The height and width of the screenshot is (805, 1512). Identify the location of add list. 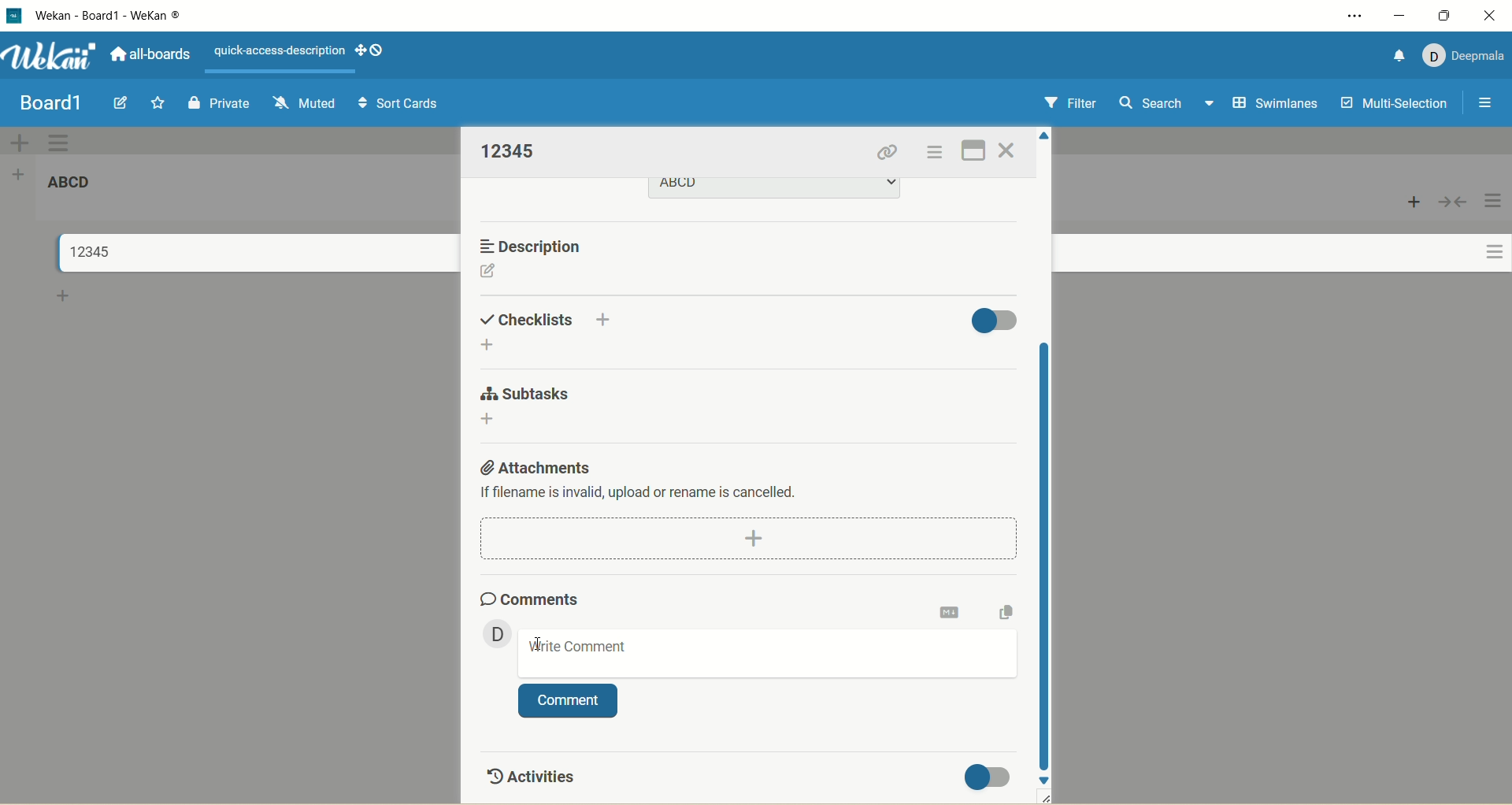
(23, 173).